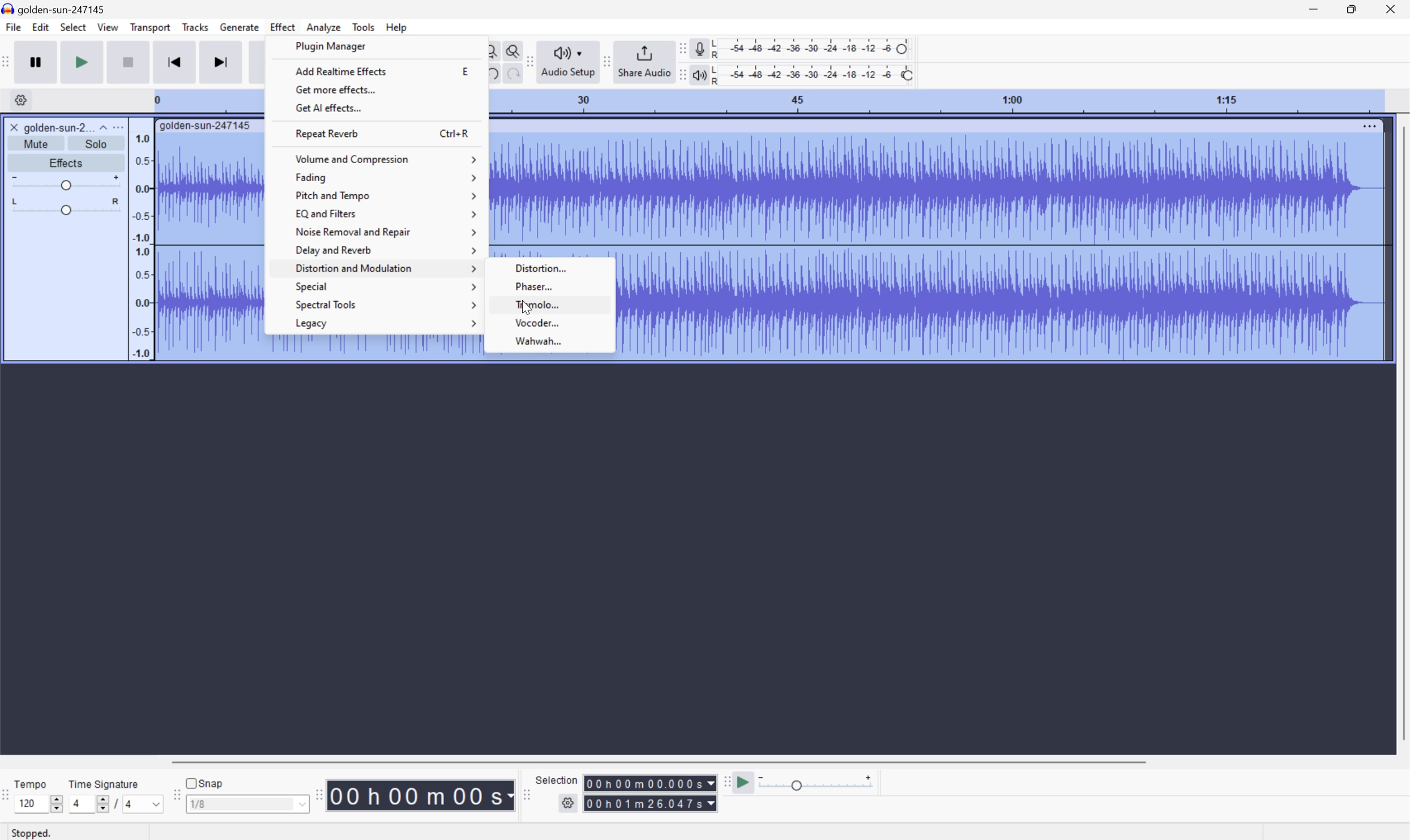 The image size is (1410, 840). What do you see at coordinates (23, 100) in the screenshot?
I see `Settings` at bounding box center [23, 100].